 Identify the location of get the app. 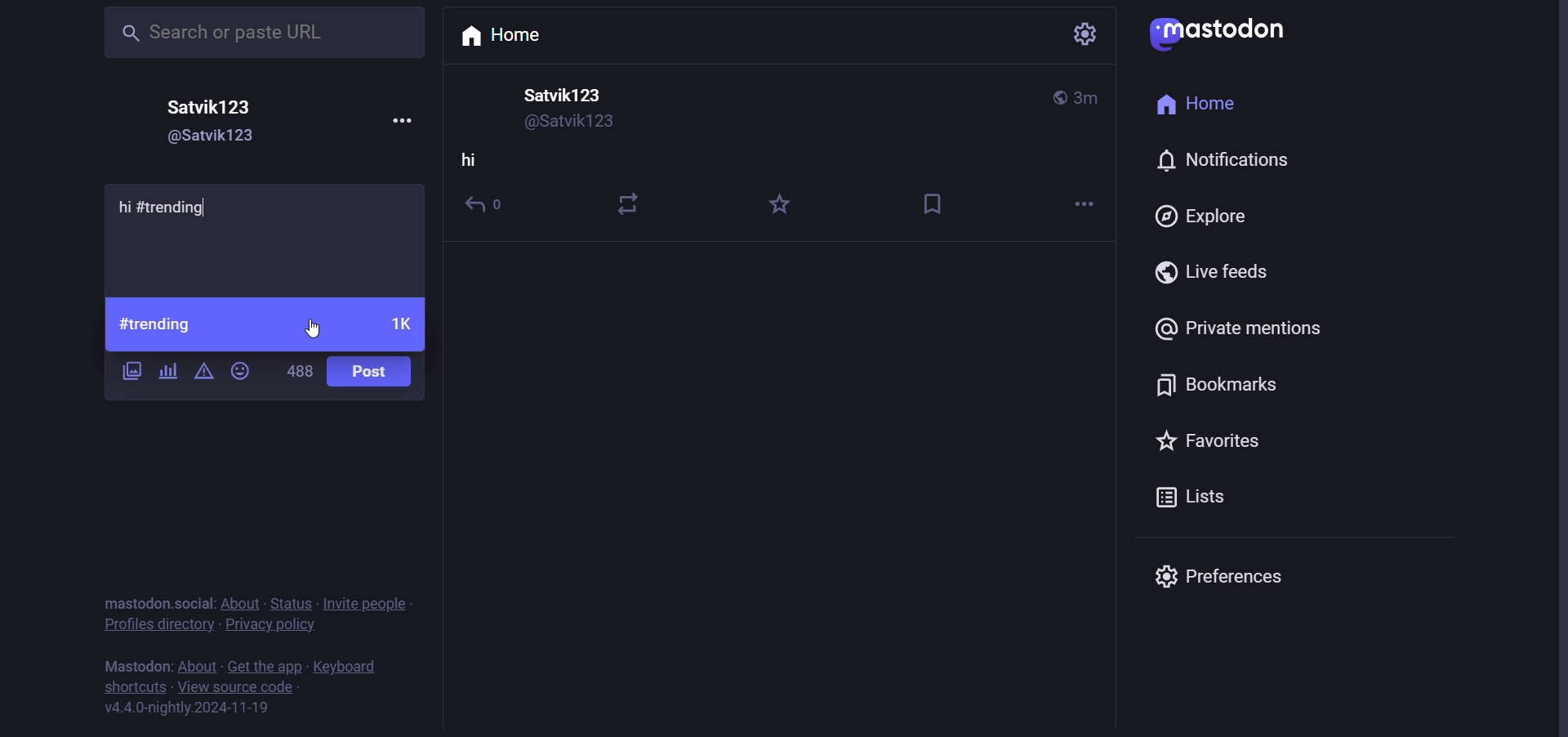
(262, 666).